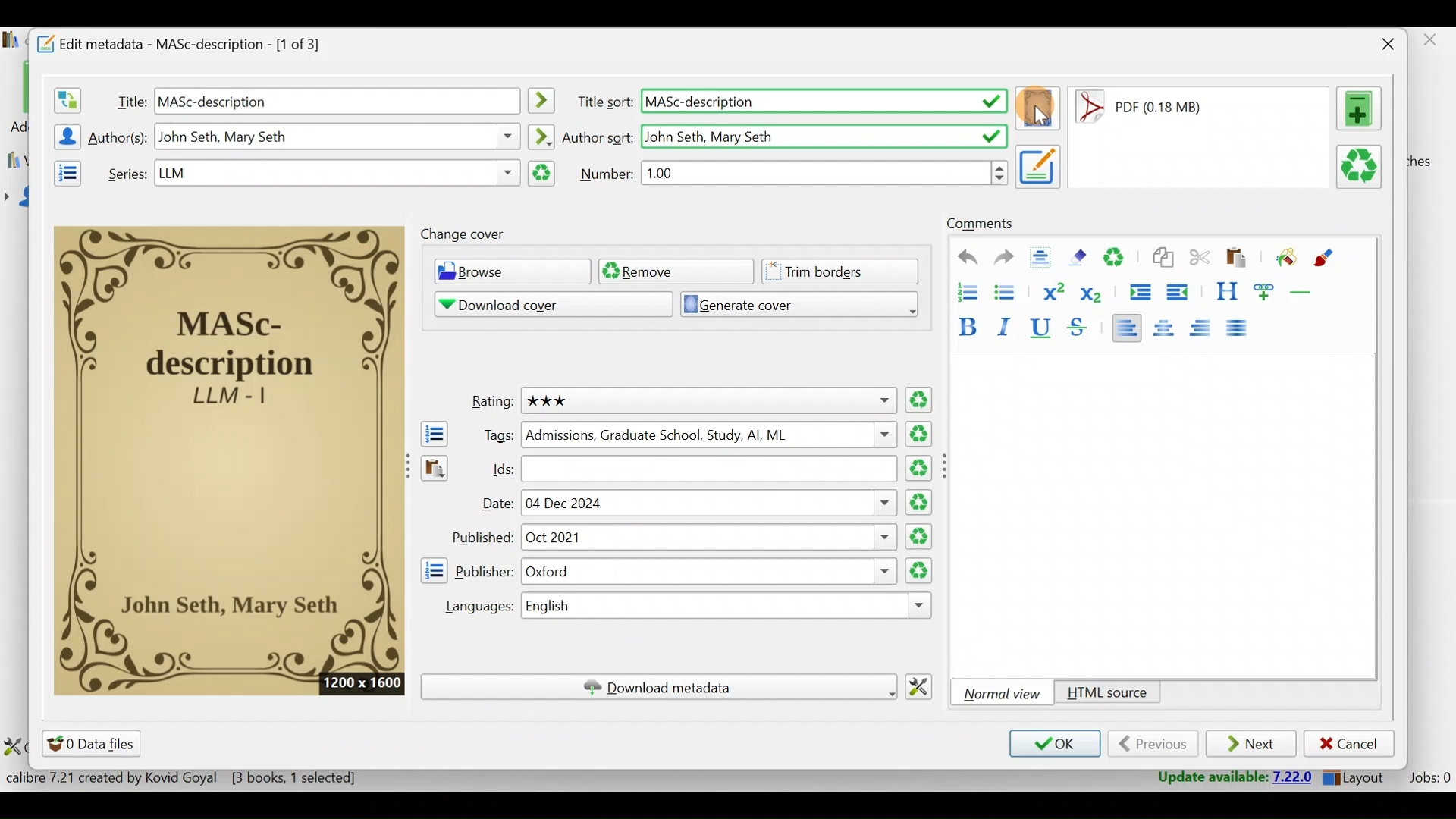 This screenshot has height=819, width=1456. I want to click on OK, so click(1053, 745).